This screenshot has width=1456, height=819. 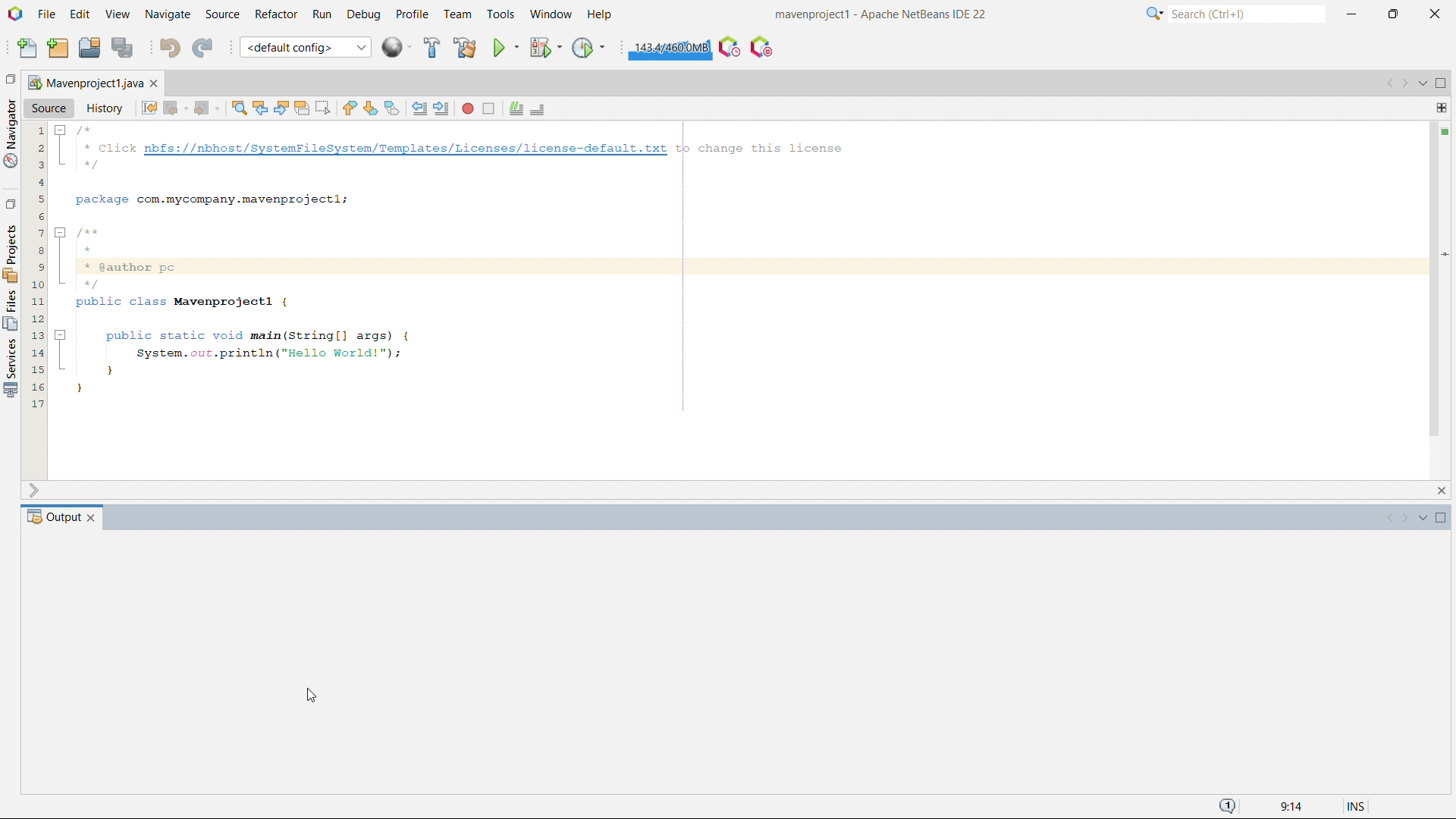 What do you see at coordinates (538, 110) in the screenshot?
I see `uncomment` at bounding box center [538, 110].